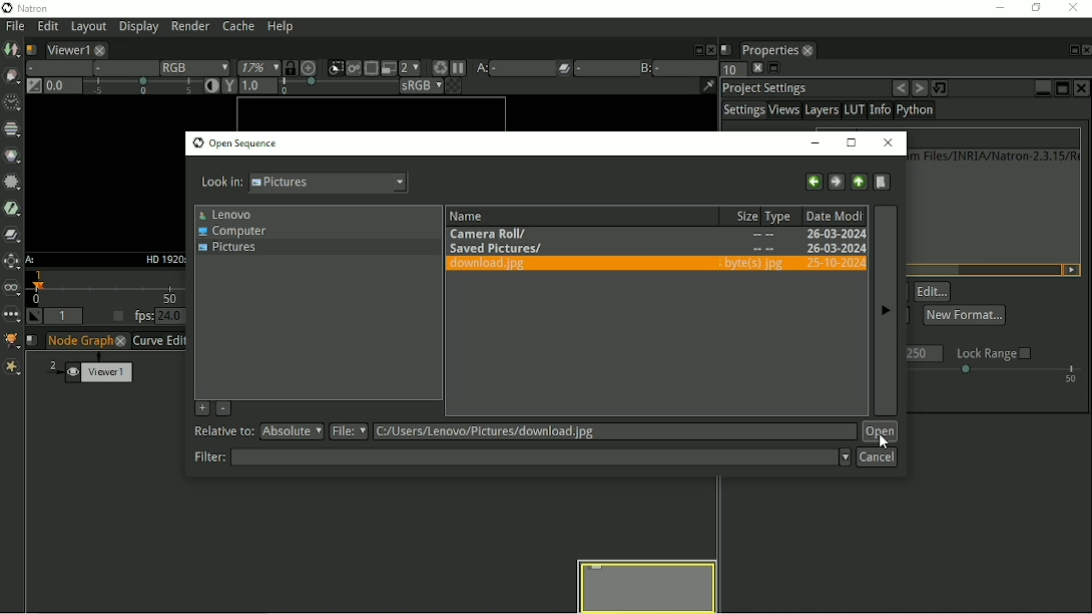 This screenshot has width=1092, height=614. I want to click on Lenovo, so click(226, 214).